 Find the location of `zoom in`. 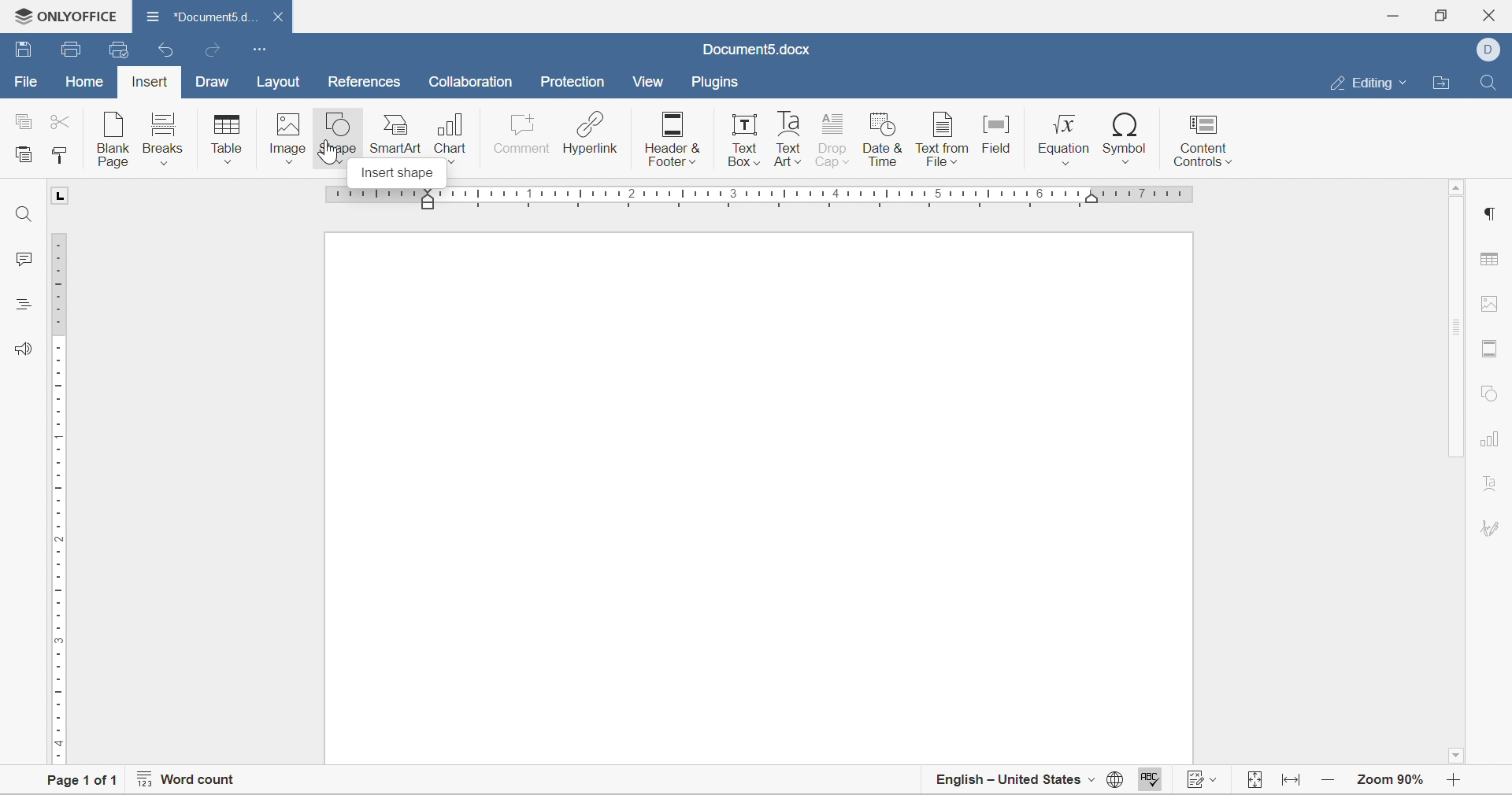

zoom in is located at coordinates (1453, 782).